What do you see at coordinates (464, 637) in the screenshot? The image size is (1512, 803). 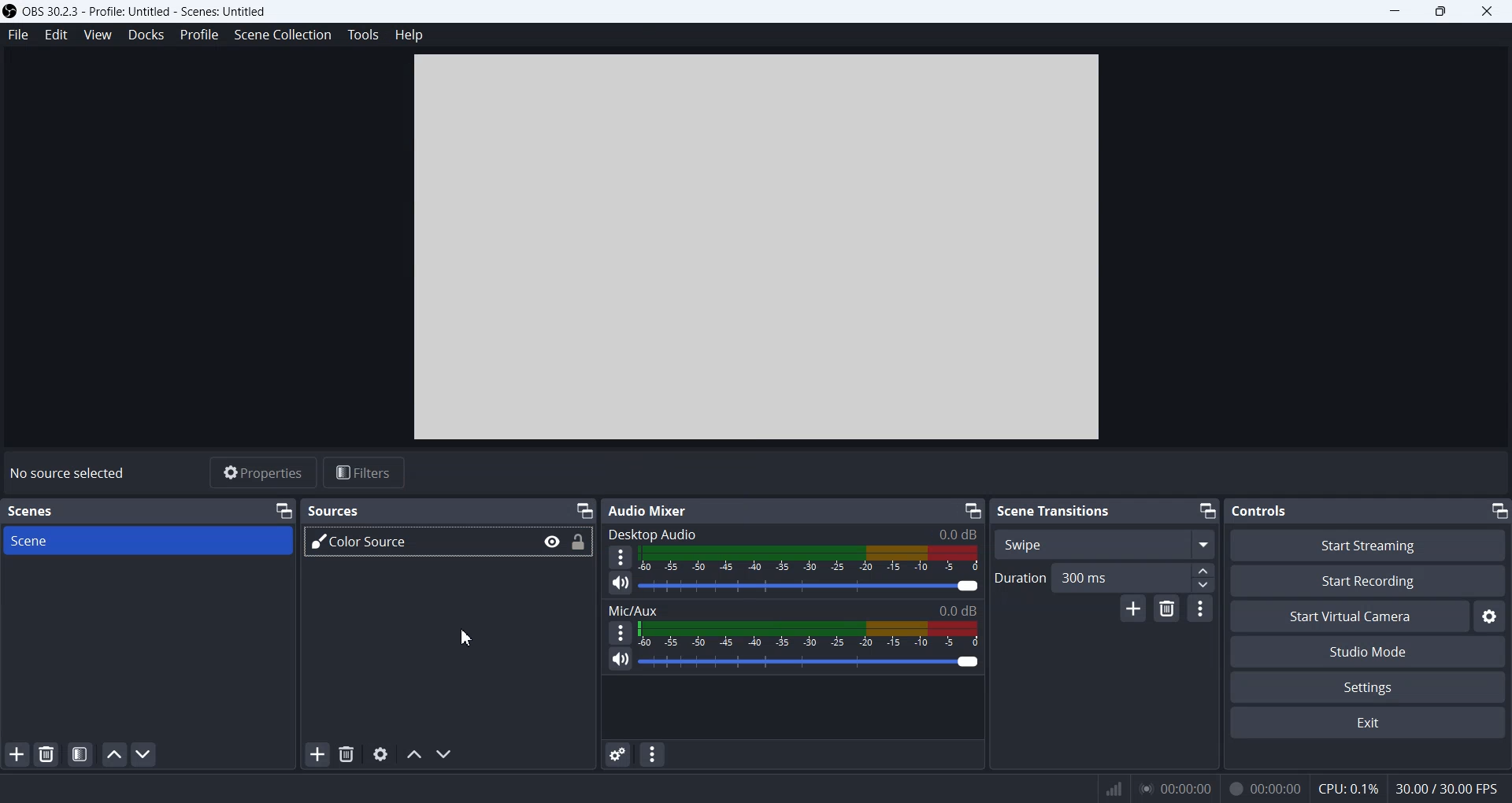 I see `Cursor` at bounding box center [464, 637].